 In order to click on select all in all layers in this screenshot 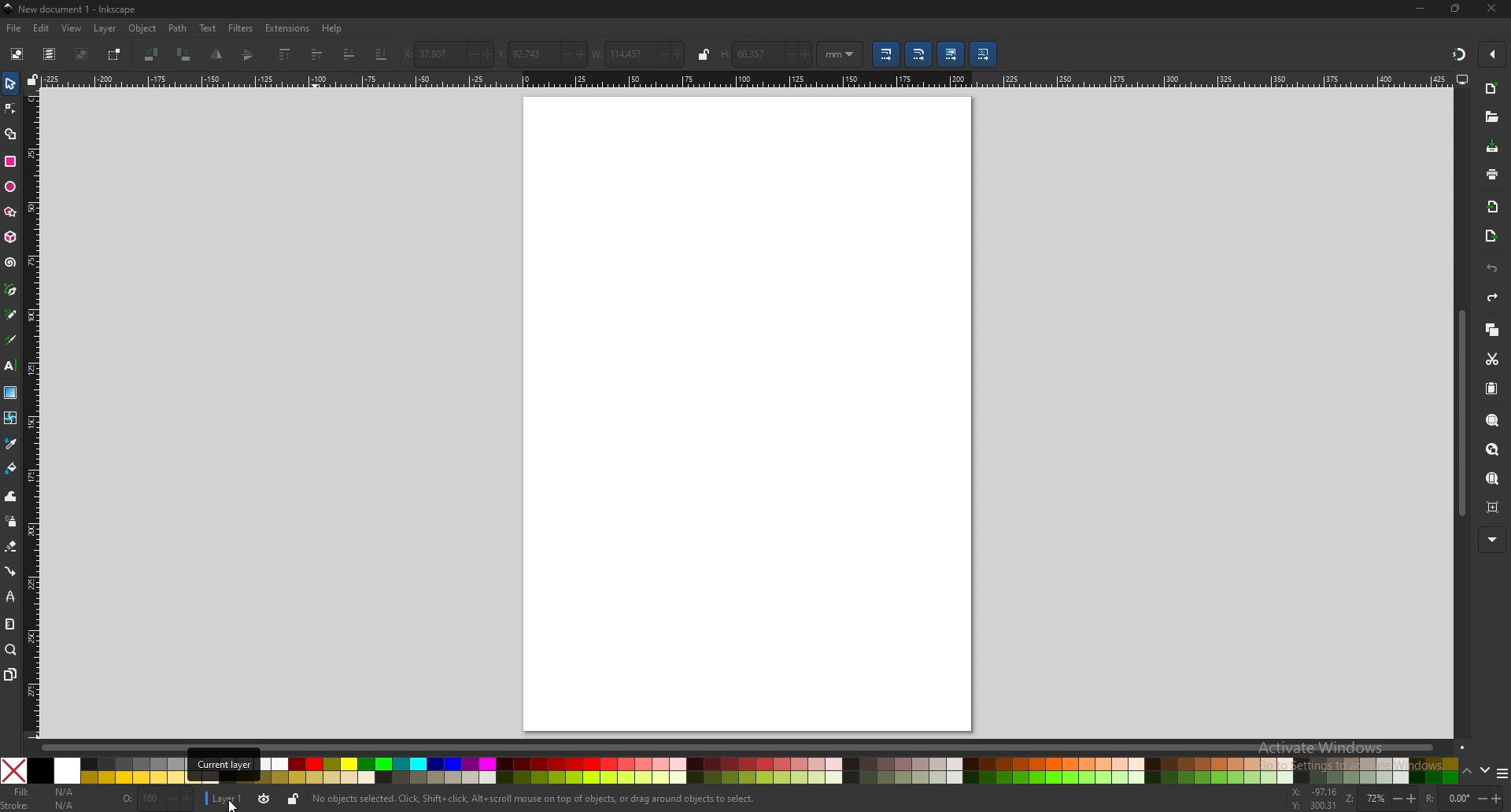, I will do `click(51, 54)`.